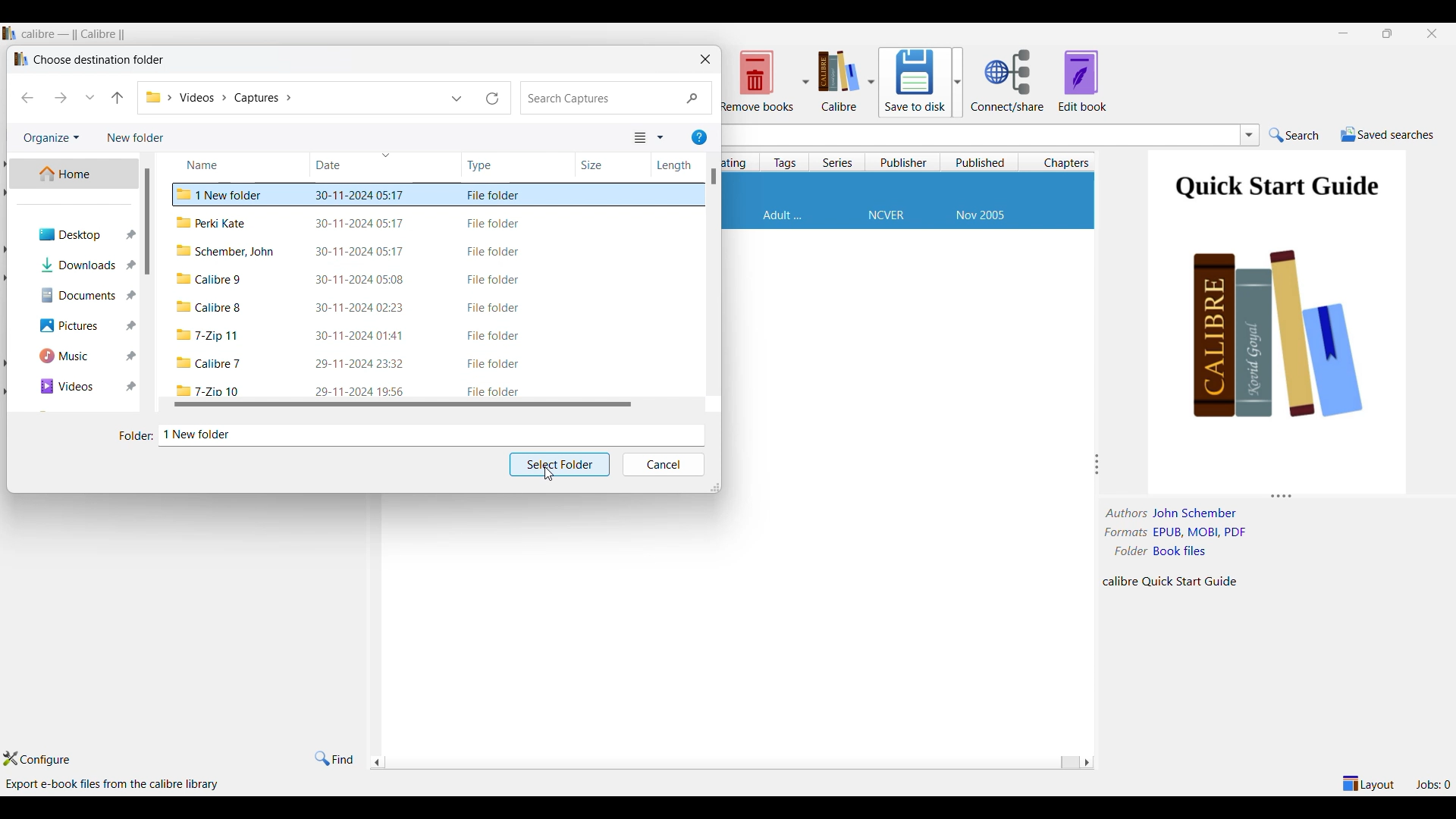  What do you see at coordinates (1086, 762) in the screenshot?
I see `scroll left` at bounding box center [1086, 762].